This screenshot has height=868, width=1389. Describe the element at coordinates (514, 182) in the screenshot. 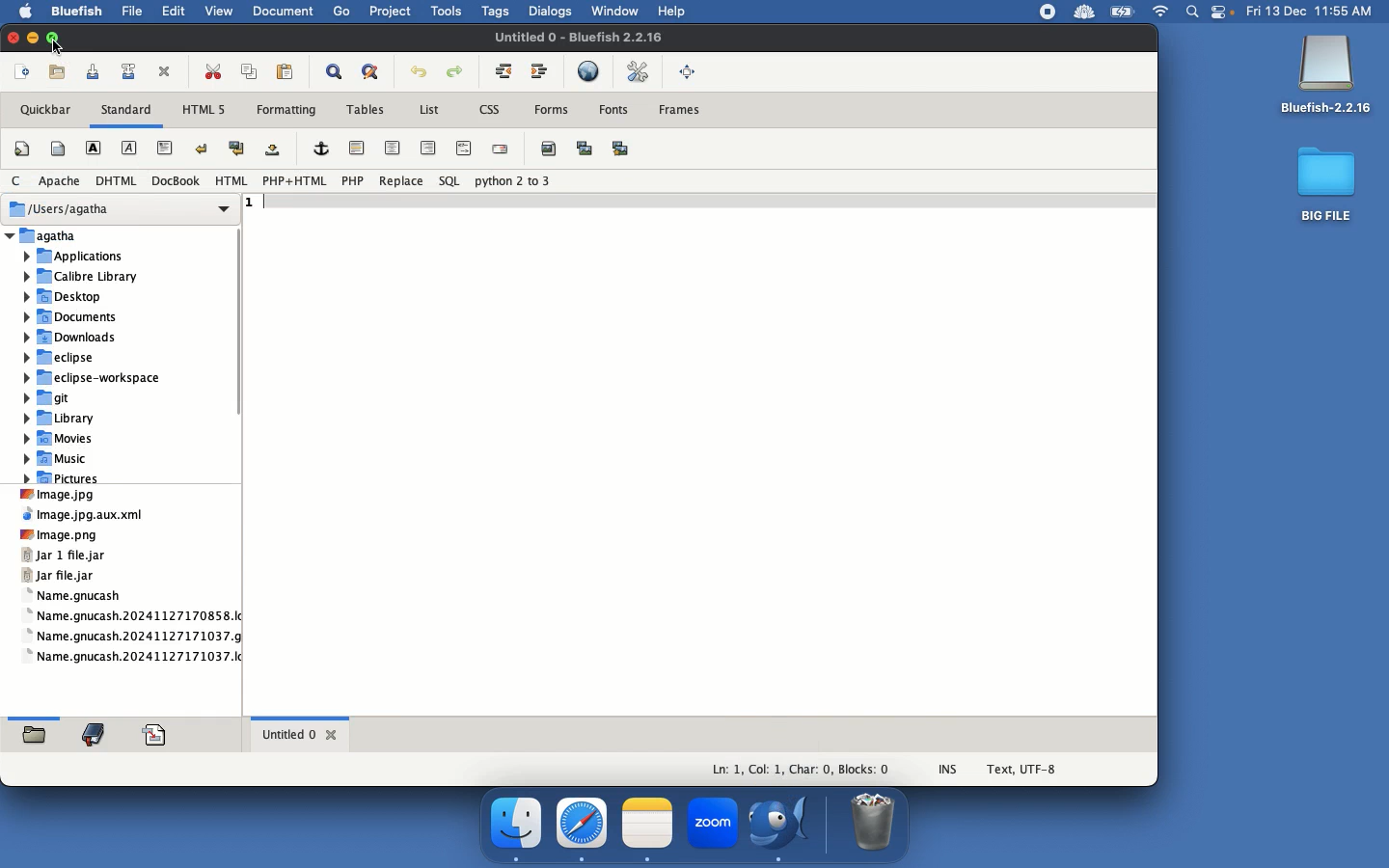

I see `Python 2 to 3` at that location.